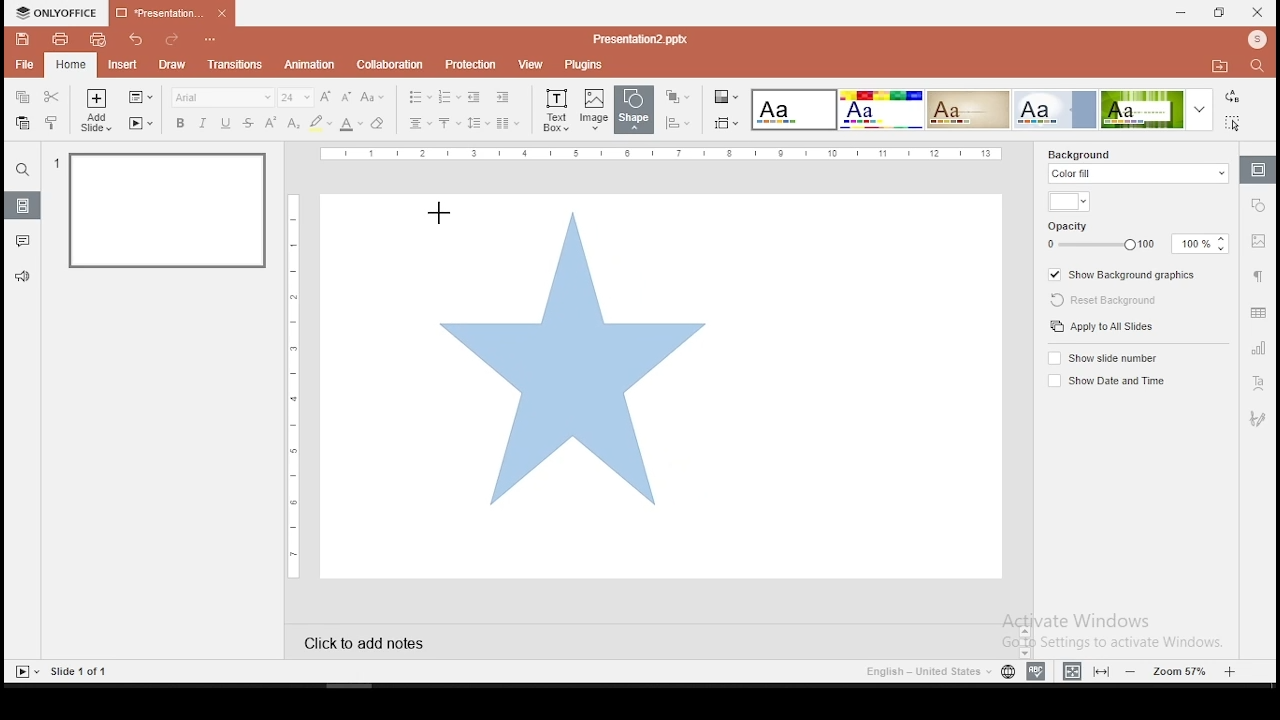 This screenshot has height=720, width=1280. I want to click on collaboration, so click(389, 64).